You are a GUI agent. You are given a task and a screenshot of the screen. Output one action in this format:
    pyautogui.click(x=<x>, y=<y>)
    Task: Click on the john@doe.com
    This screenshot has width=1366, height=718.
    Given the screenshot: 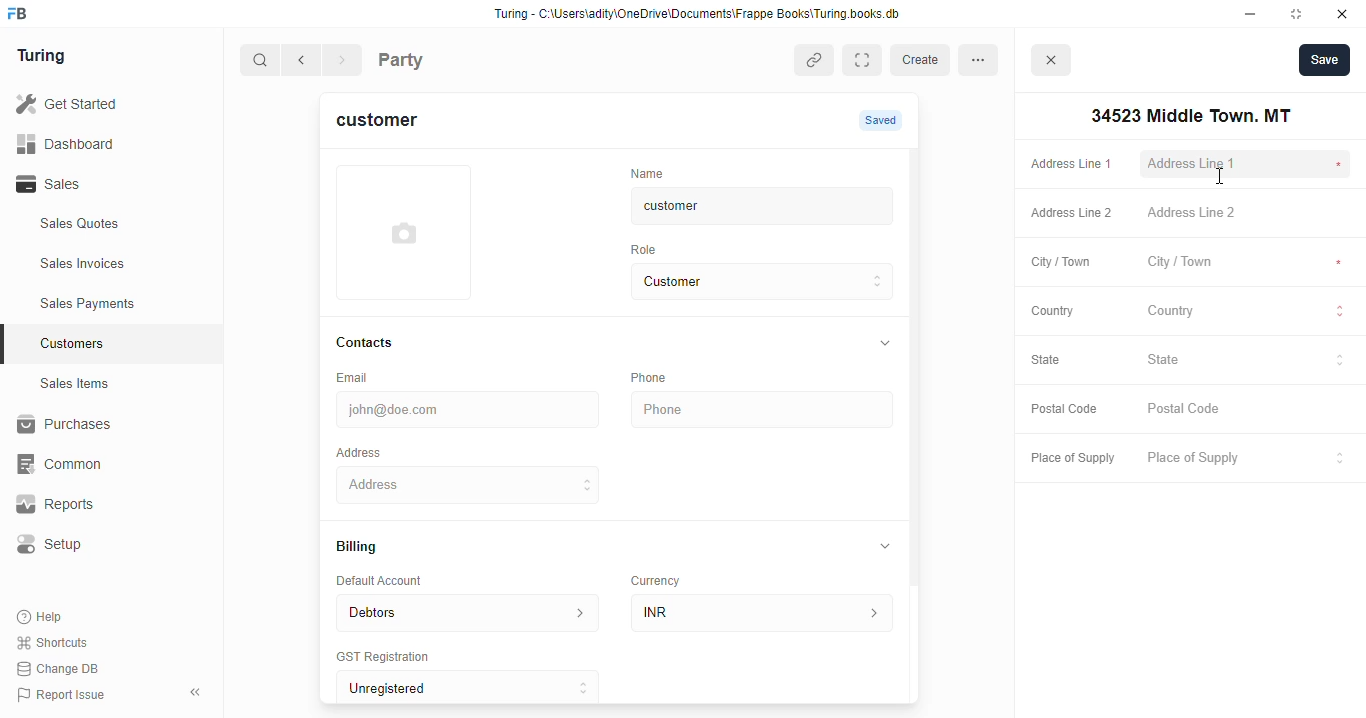 What is the action you would take?
    pyautogui.click(x=471, y=407)
    